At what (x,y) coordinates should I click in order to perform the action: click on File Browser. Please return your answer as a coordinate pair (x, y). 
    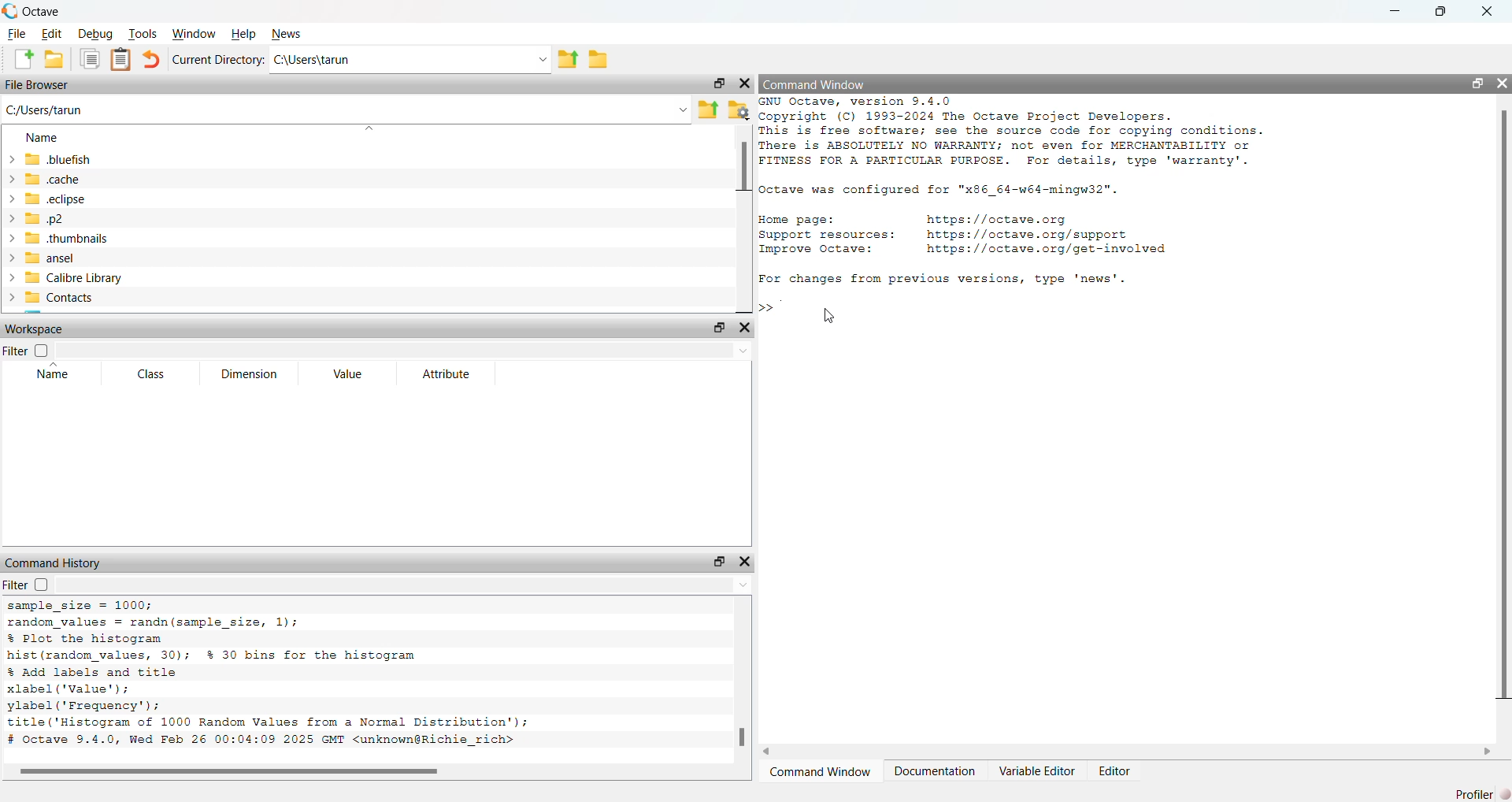
    Looking at the image, I should click on (39, 85).